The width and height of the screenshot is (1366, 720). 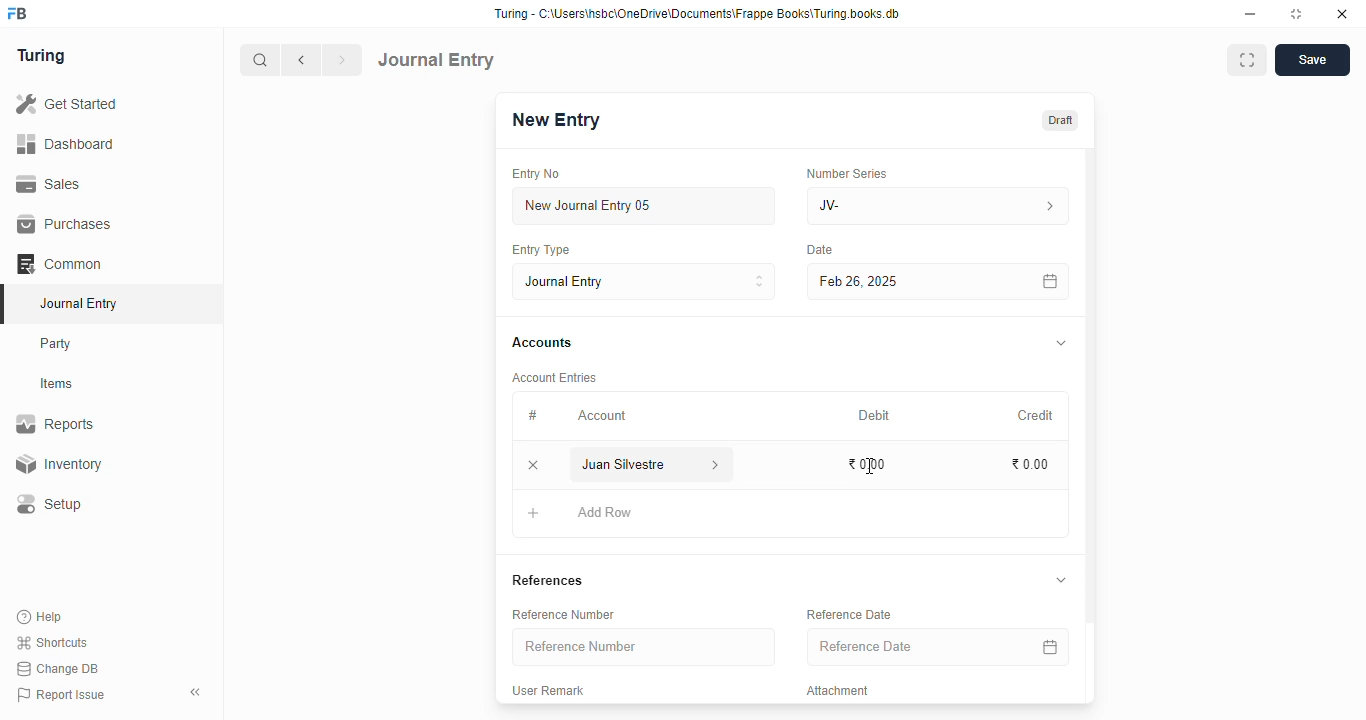 I want to click on journal entry, so click(x=78, y=303).